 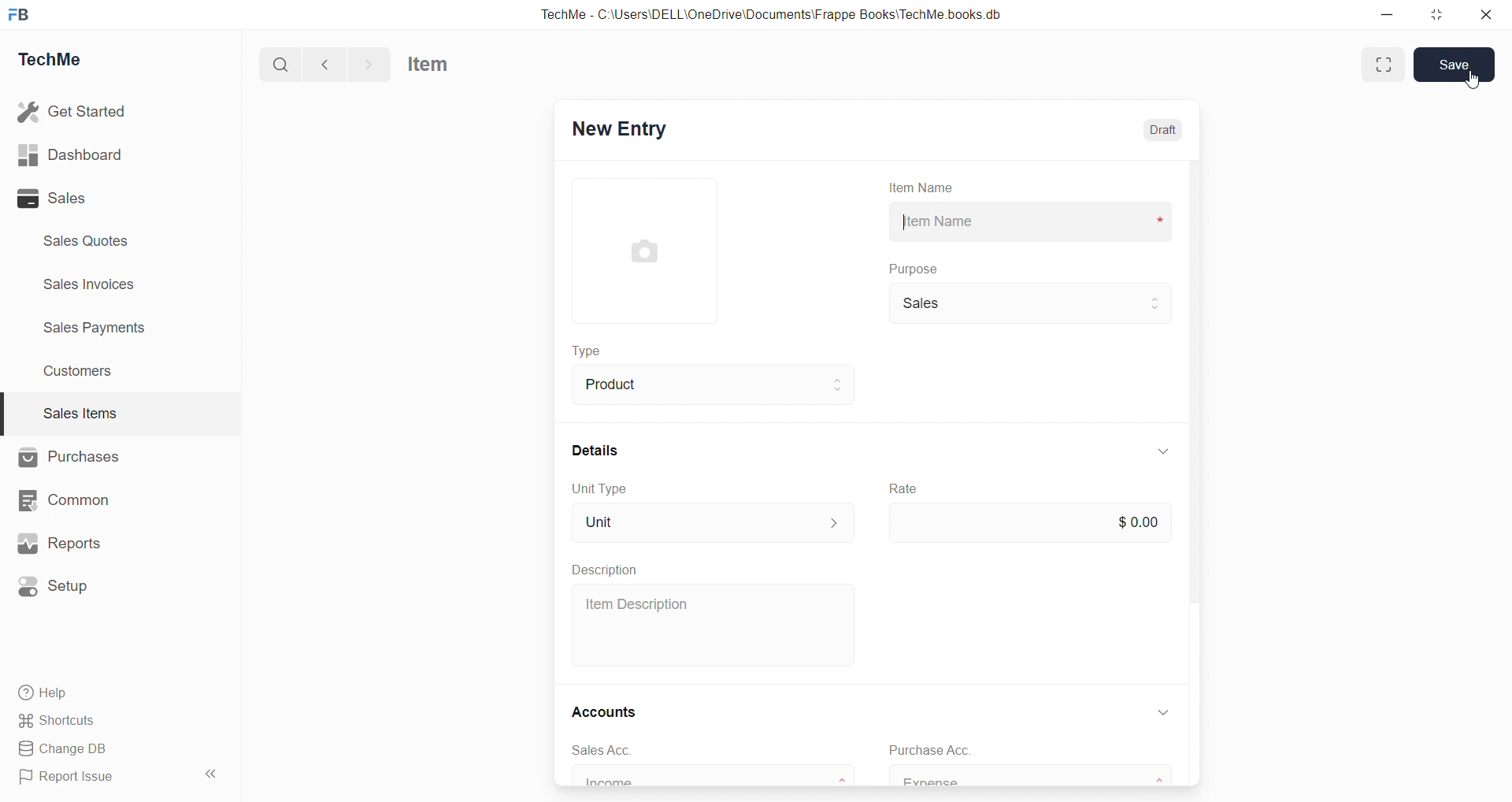 I want to click on Sales invoices, so click(x=92, y=284).